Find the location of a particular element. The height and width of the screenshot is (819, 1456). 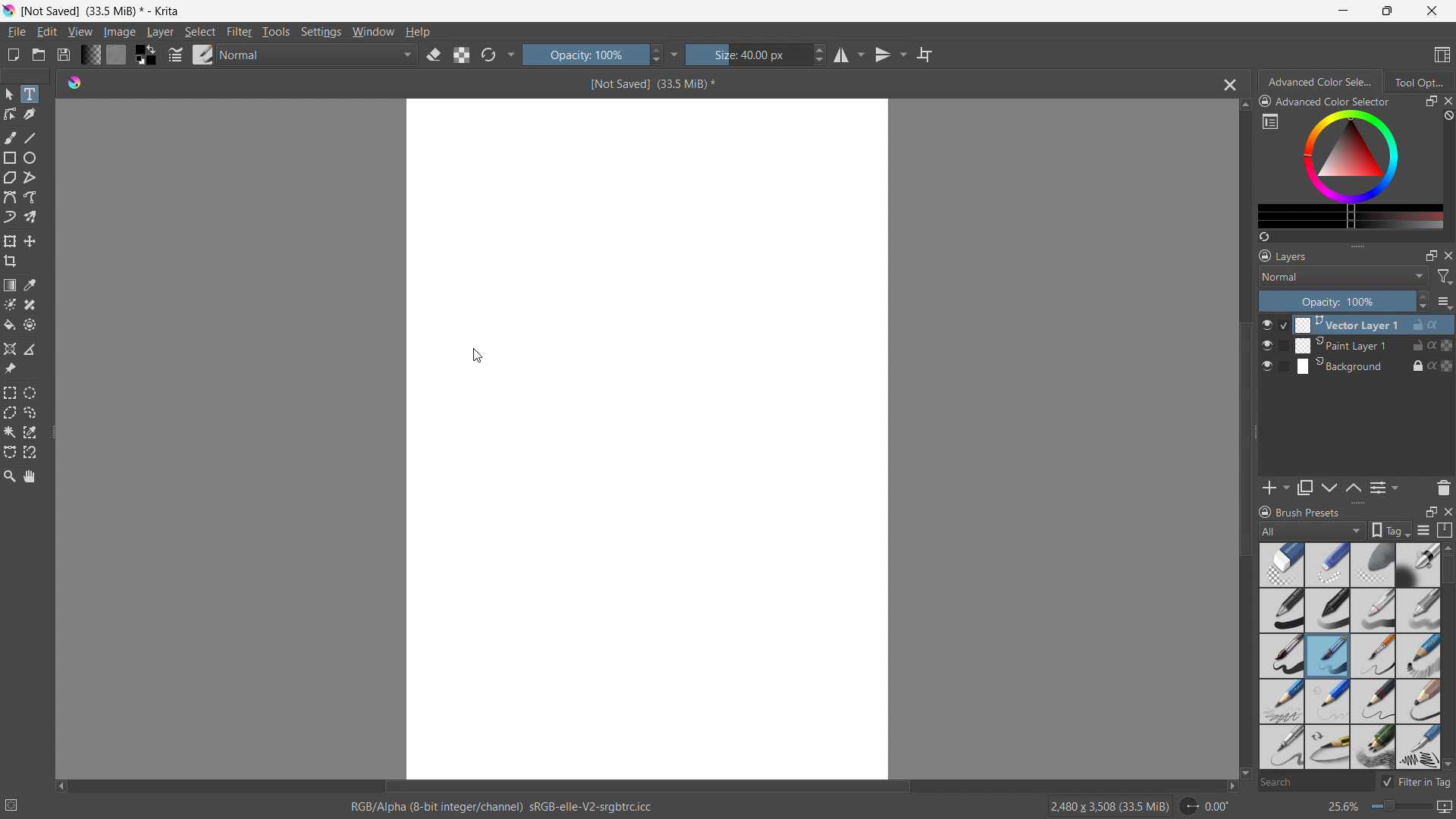

more colors is located at coordinates (1351, 217).